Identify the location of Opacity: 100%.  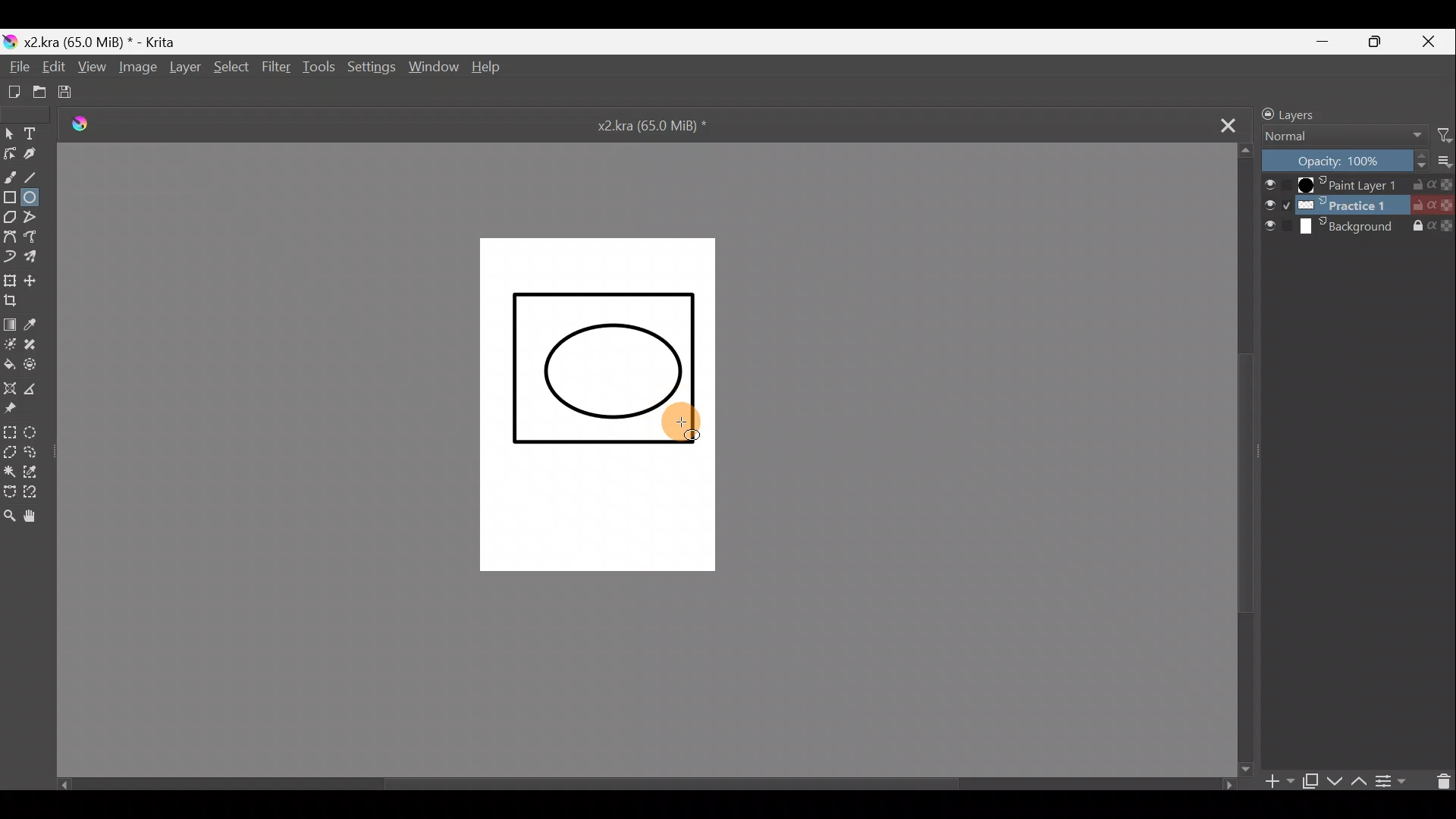
(1339, 160).